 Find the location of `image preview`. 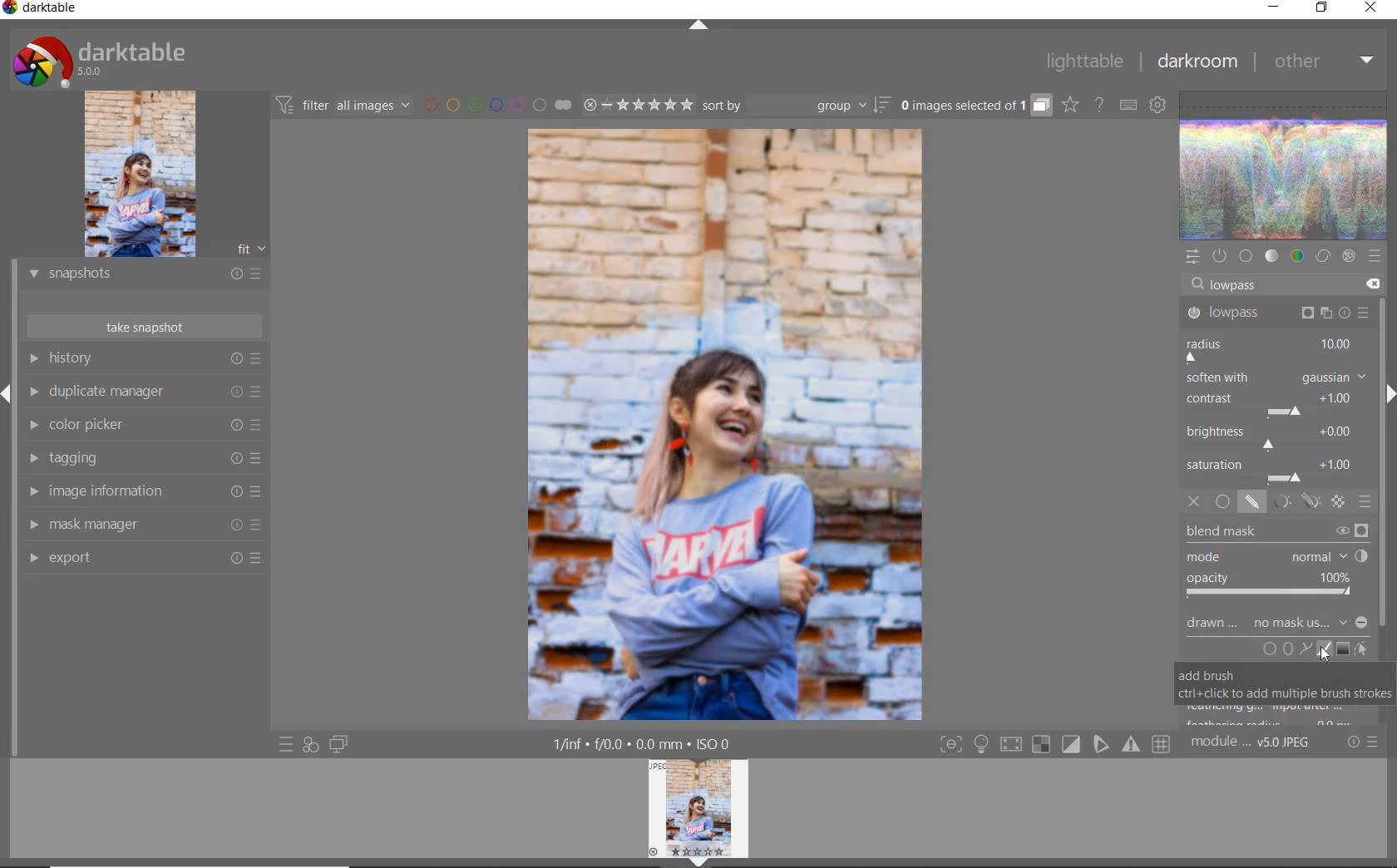

image preview is located at coordinates (165, 175).